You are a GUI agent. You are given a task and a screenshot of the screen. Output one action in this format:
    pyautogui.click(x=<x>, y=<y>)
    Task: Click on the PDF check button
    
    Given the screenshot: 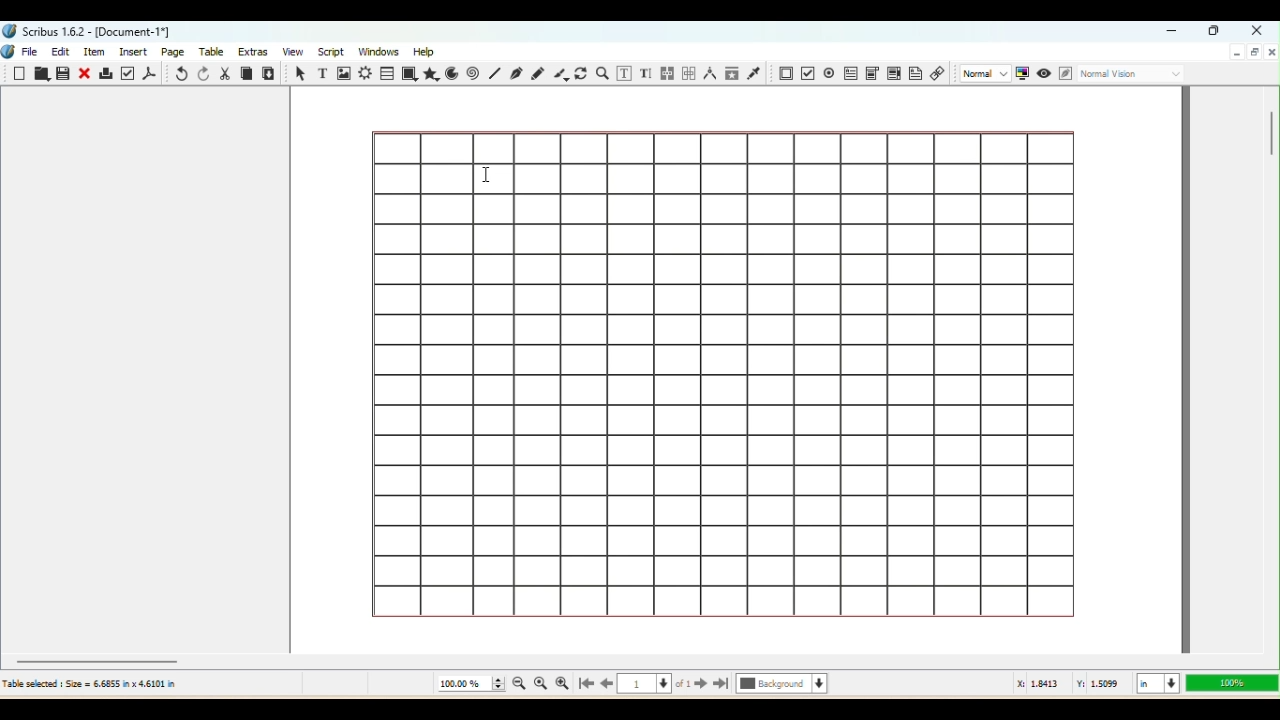 What is the action you would take?
    pyautogui.click(x=829, y=72)
    